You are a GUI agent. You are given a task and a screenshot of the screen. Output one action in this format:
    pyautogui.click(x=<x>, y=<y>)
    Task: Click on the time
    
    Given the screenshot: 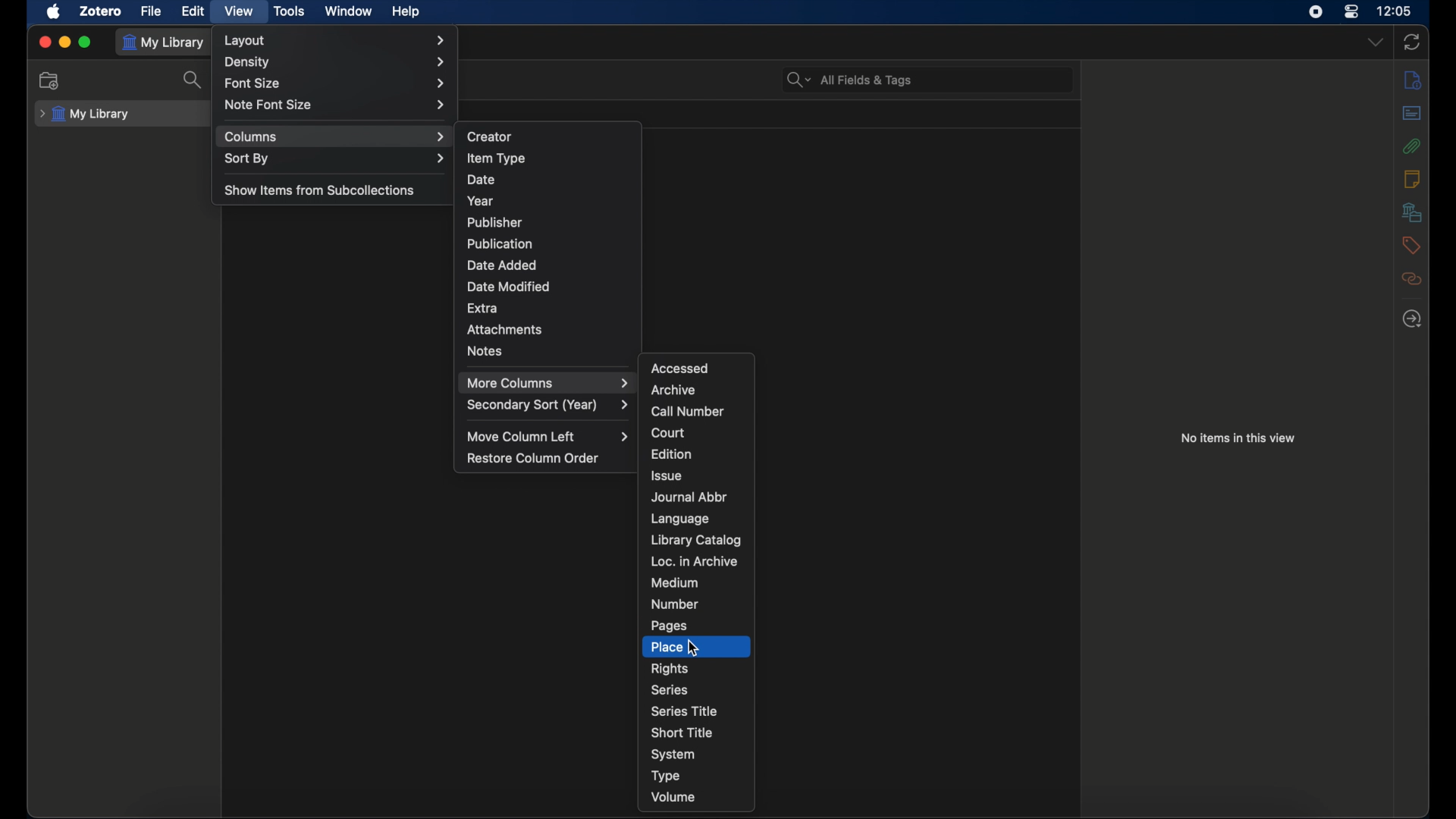 What is the action you would take?
    pyautogui.click(x=1397, y=10)
    